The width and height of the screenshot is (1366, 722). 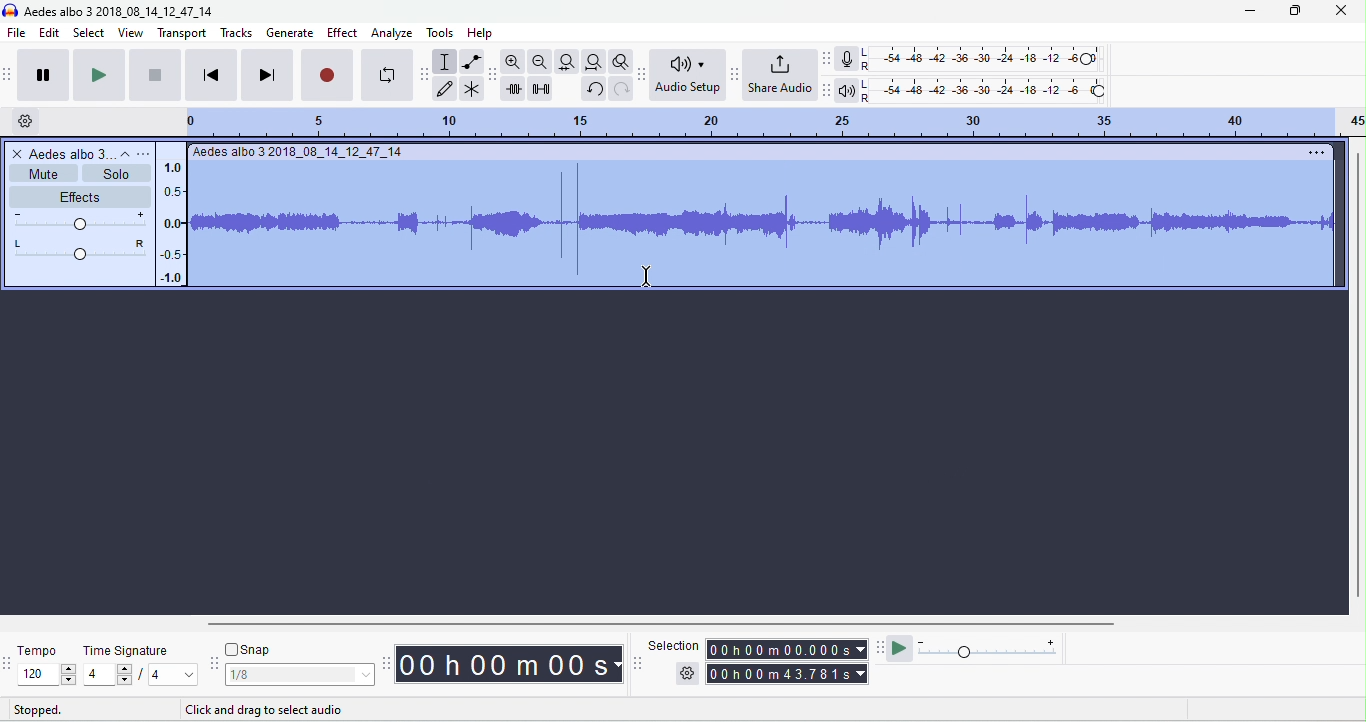 What do you see at coordinates (866, 84) in the screenshot?
I see `L` at bounding box center [866, 84].